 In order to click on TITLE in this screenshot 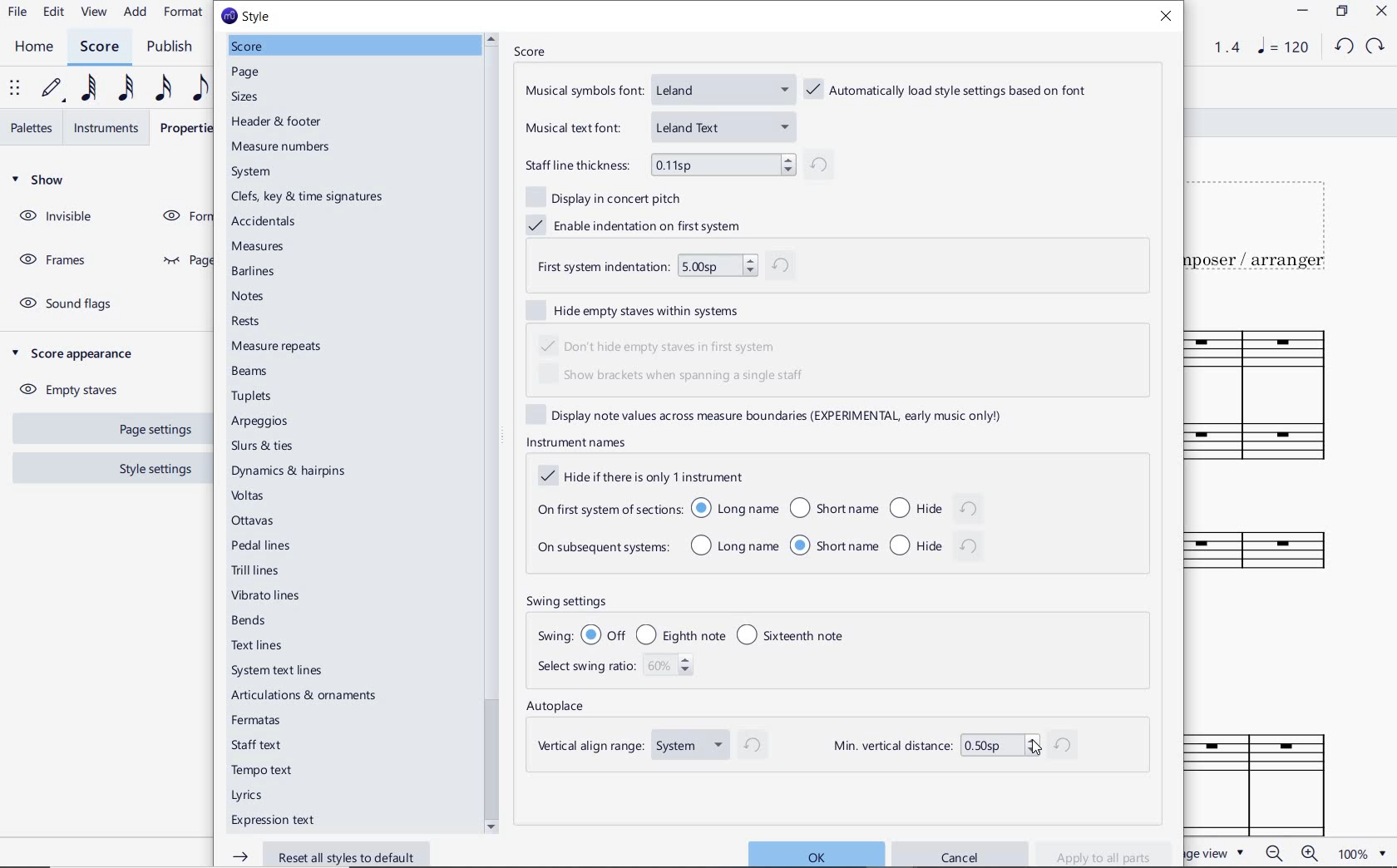, I will do `click(1268, 223)`.